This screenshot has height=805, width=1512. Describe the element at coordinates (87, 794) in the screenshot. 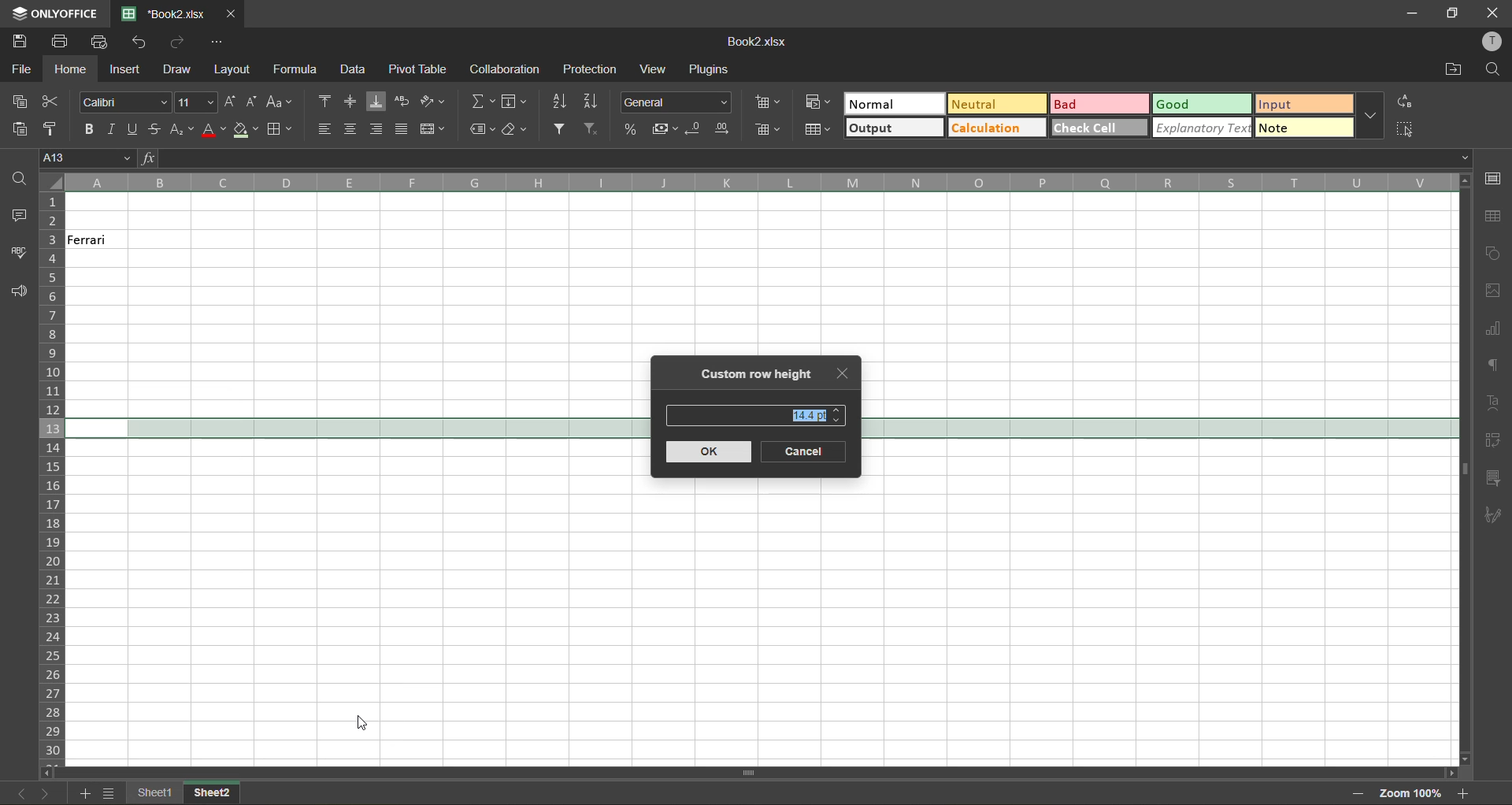

I see `add sheet` at that location.